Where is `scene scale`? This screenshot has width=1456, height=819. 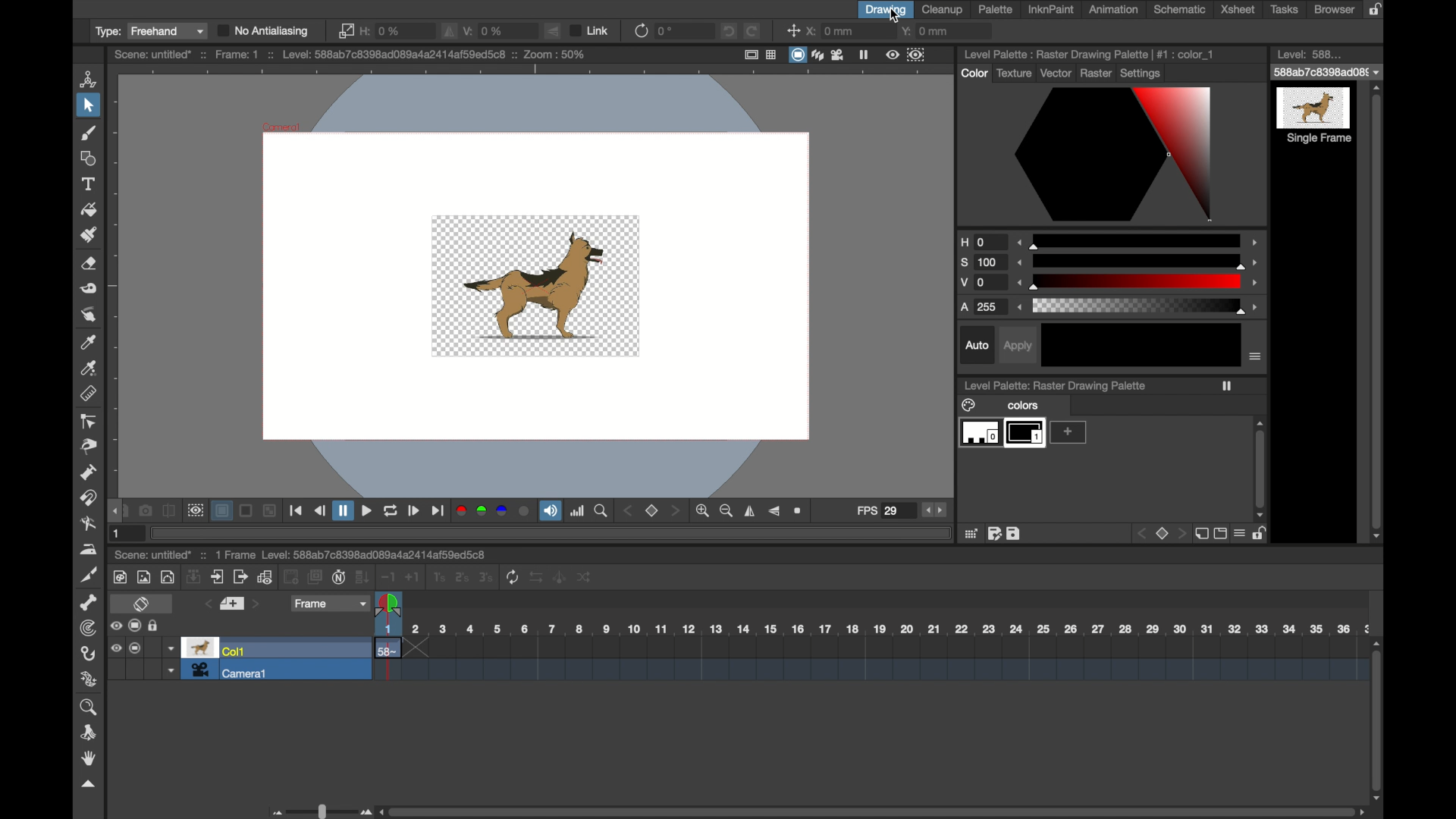 scene scale is located at coordinates (873, 629).